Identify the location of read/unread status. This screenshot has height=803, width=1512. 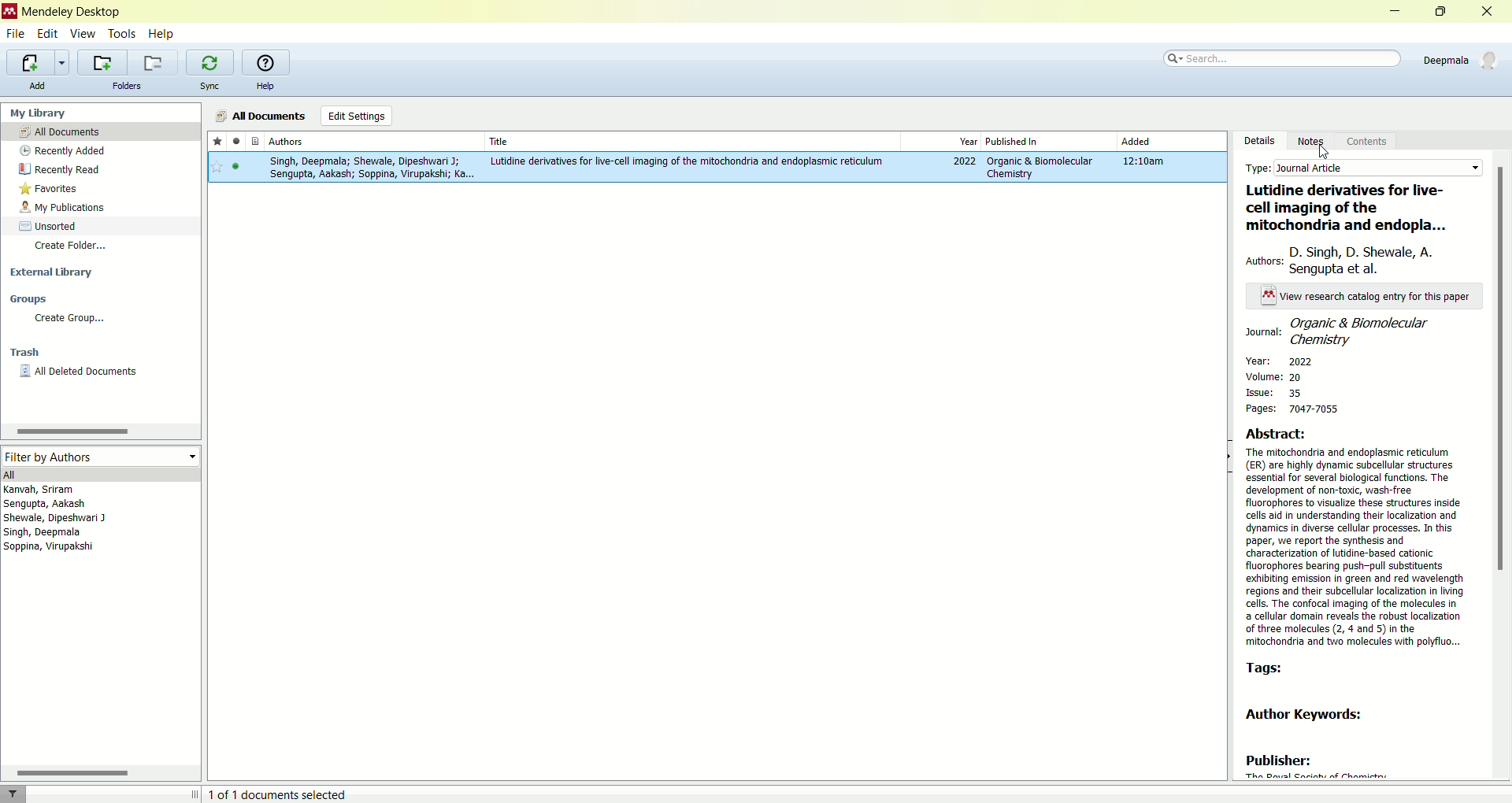
(236, 142).